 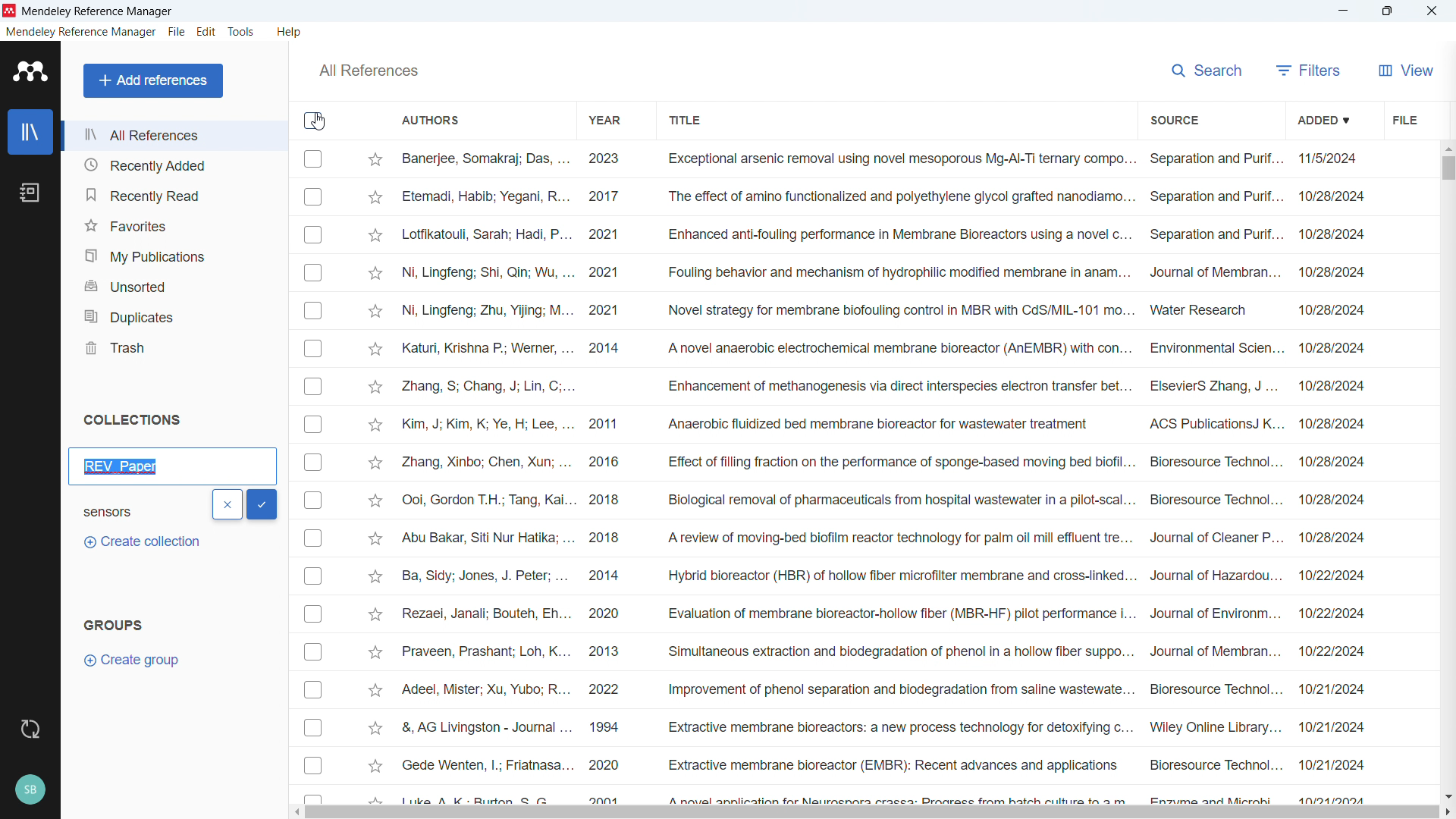 What do you see at coordinates (313, 462) in the screenshot?
I see `Select respective publication` at bounding box center [313, 462].